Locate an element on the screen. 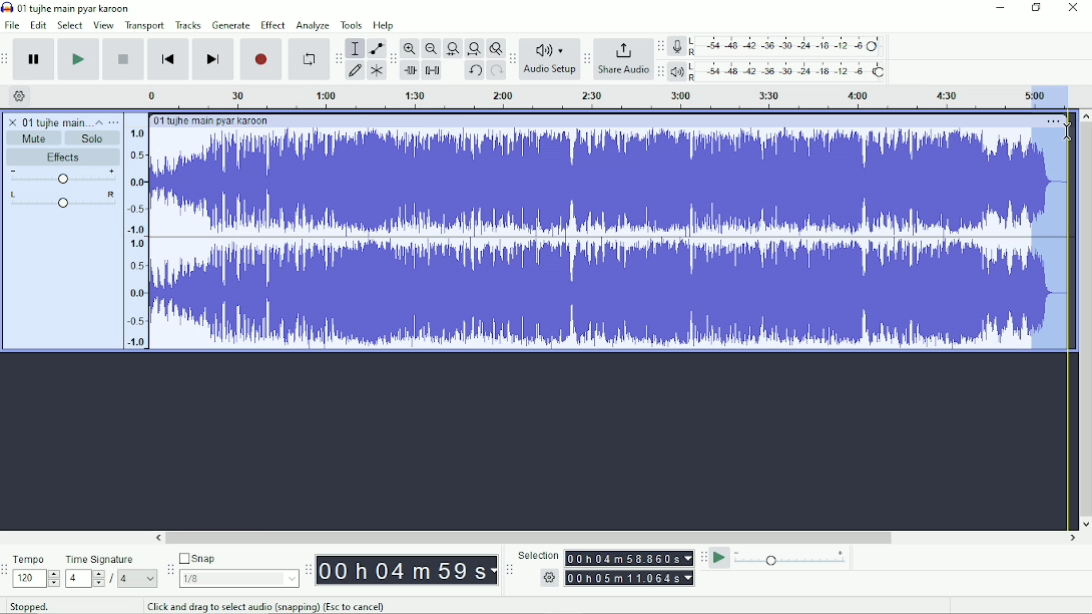 The image size is (1092, 614). Tempo is located at coordinates (37, 557).